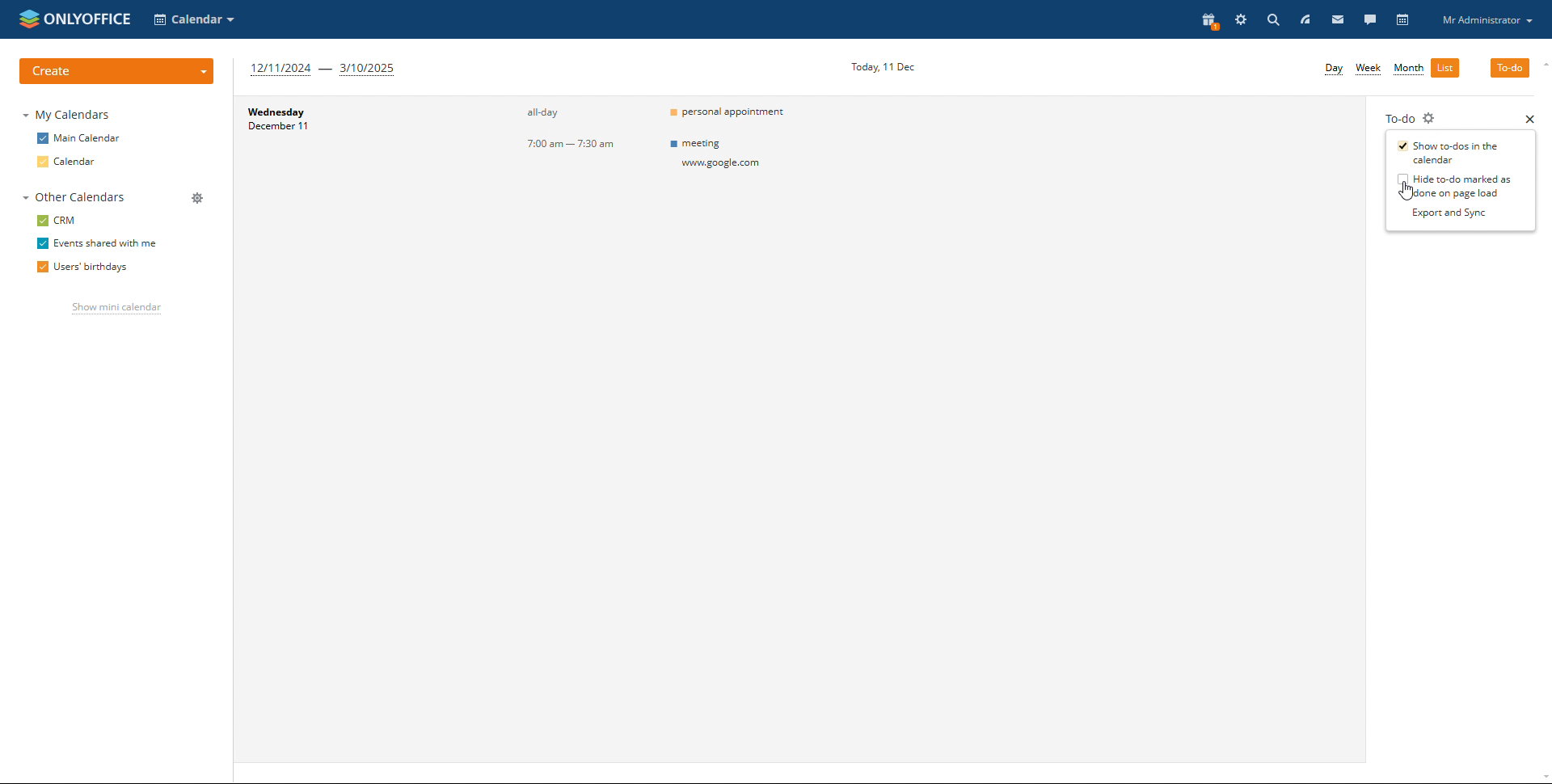 This screenshot has width=1552, height=784. What do you see at coordinates (1334, 70) in the screenshot?
I see `day view` at bounding box center [1334, 70].